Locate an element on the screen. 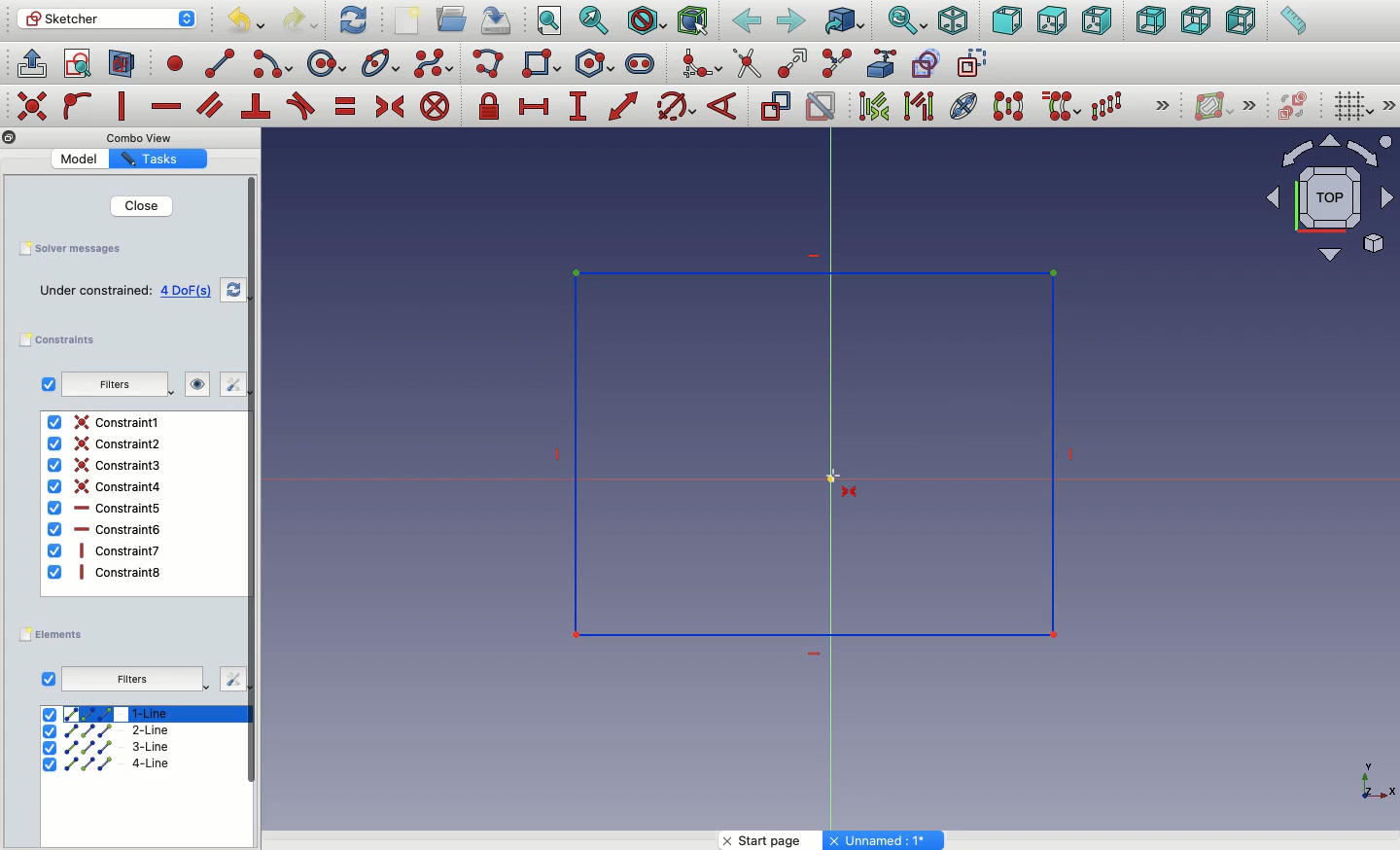 The height and width of the screenshot is (850, 1400). Save is located at coordinates (494, 18).